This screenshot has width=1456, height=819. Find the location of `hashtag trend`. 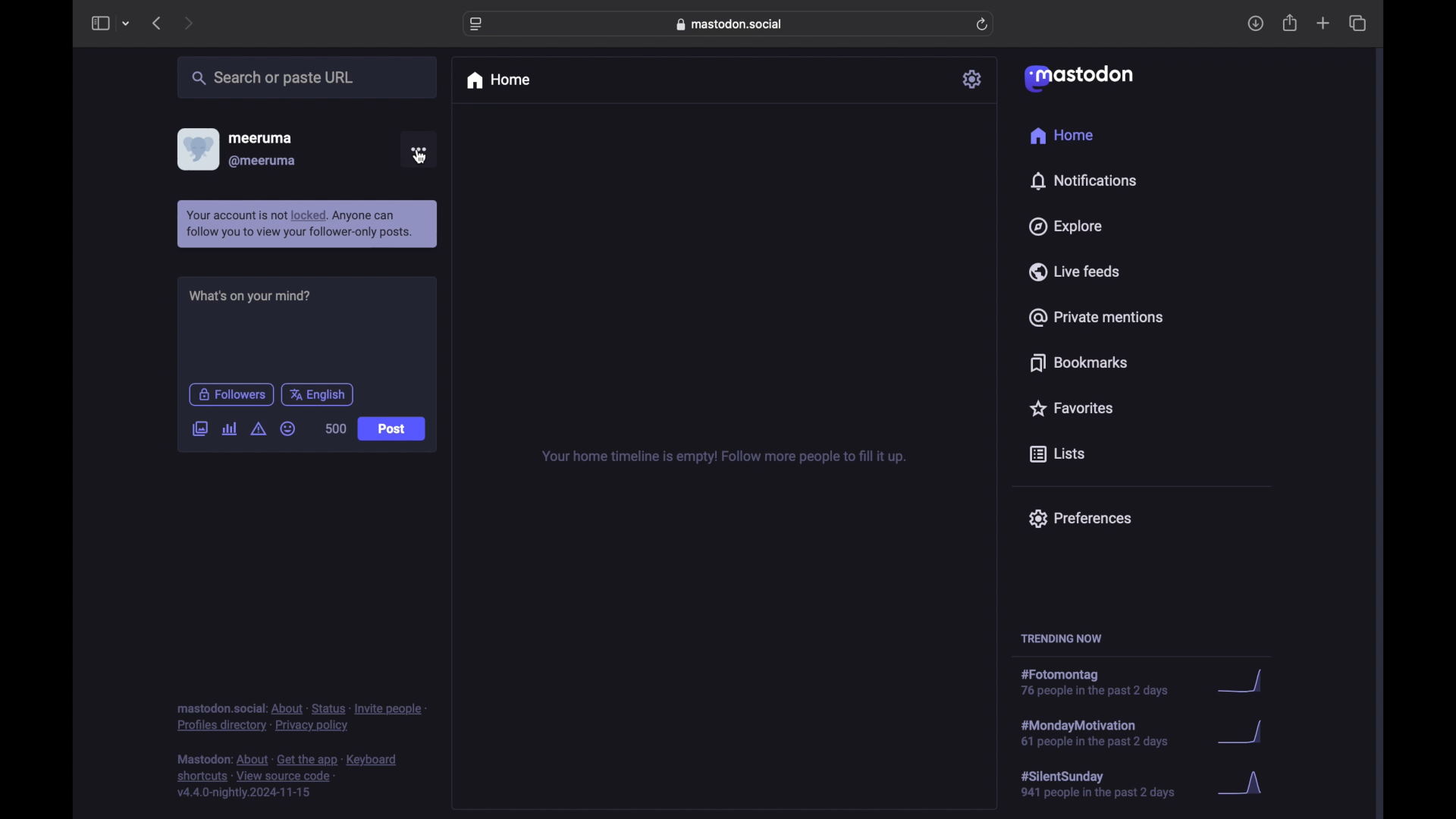

hashtag trend is located at coordinates (1143, 733).